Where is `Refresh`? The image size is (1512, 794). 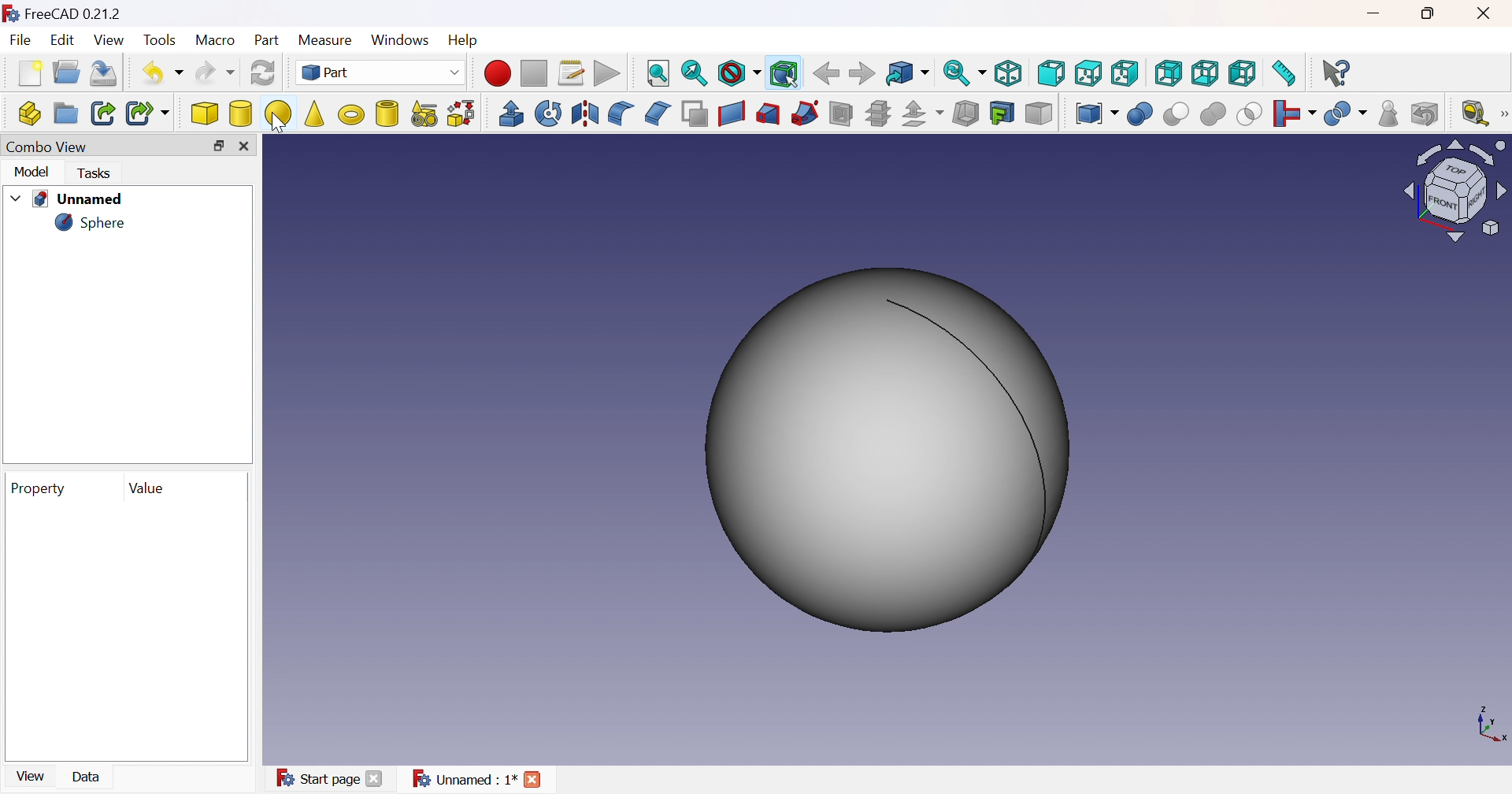
Refresh is located at coordinates (263, 72).